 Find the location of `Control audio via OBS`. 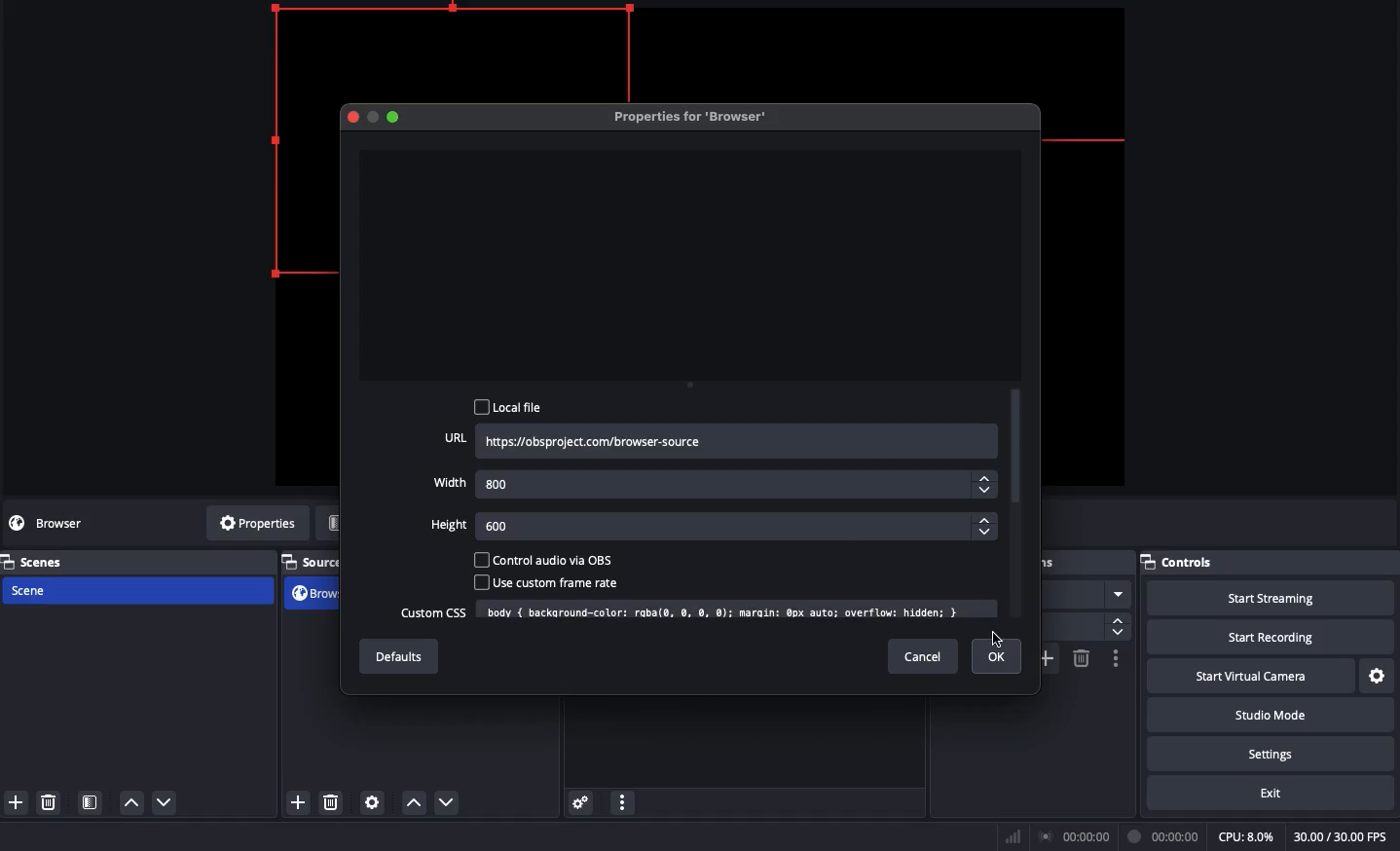

Control audio via OBS is located at coordinates (547, 560).